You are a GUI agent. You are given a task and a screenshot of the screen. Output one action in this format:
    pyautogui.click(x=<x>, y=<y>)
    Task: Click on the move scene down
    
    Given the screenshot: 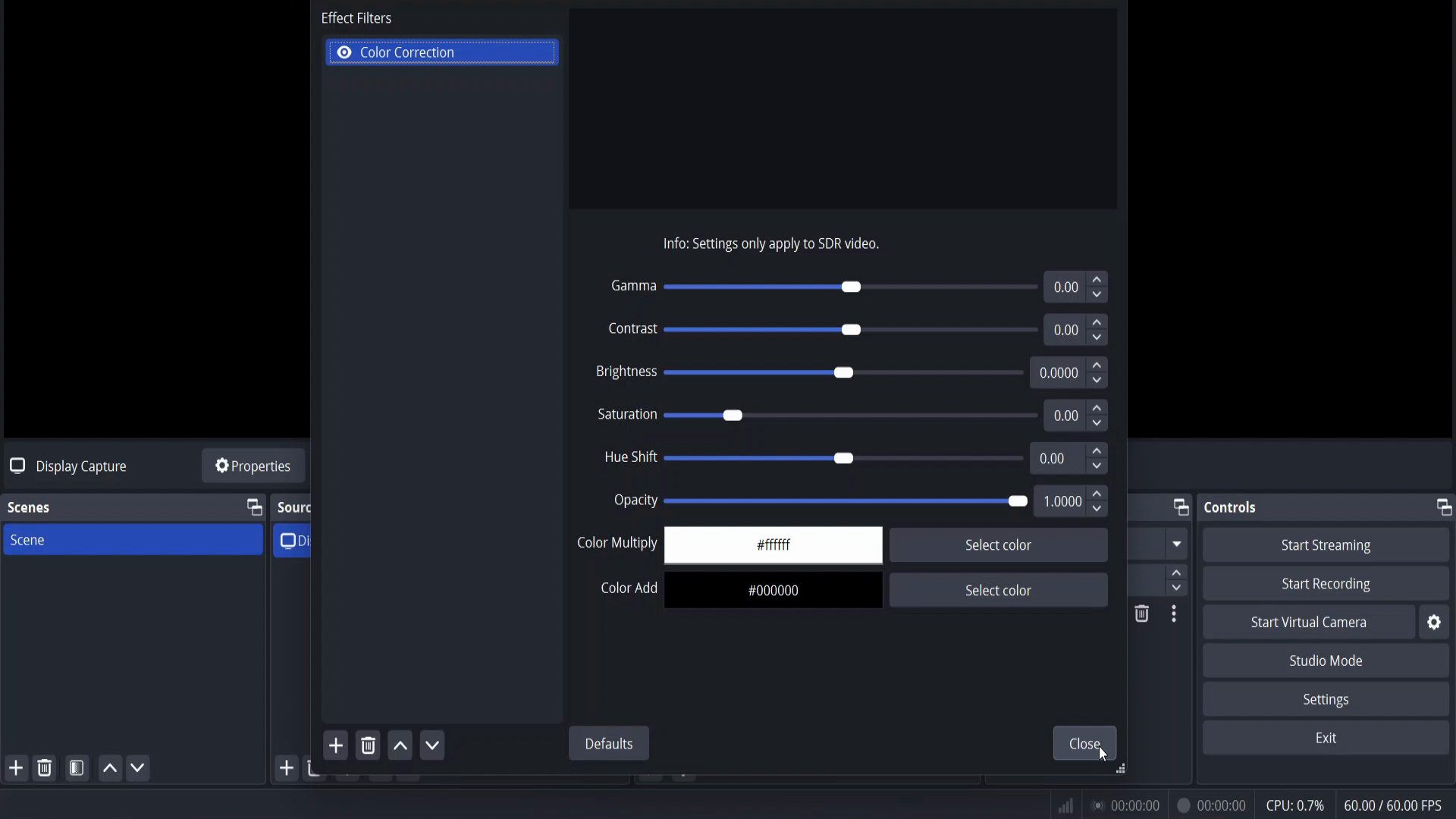 What is the action you would take?
    pyautogui.click(x=139, y=770)
    